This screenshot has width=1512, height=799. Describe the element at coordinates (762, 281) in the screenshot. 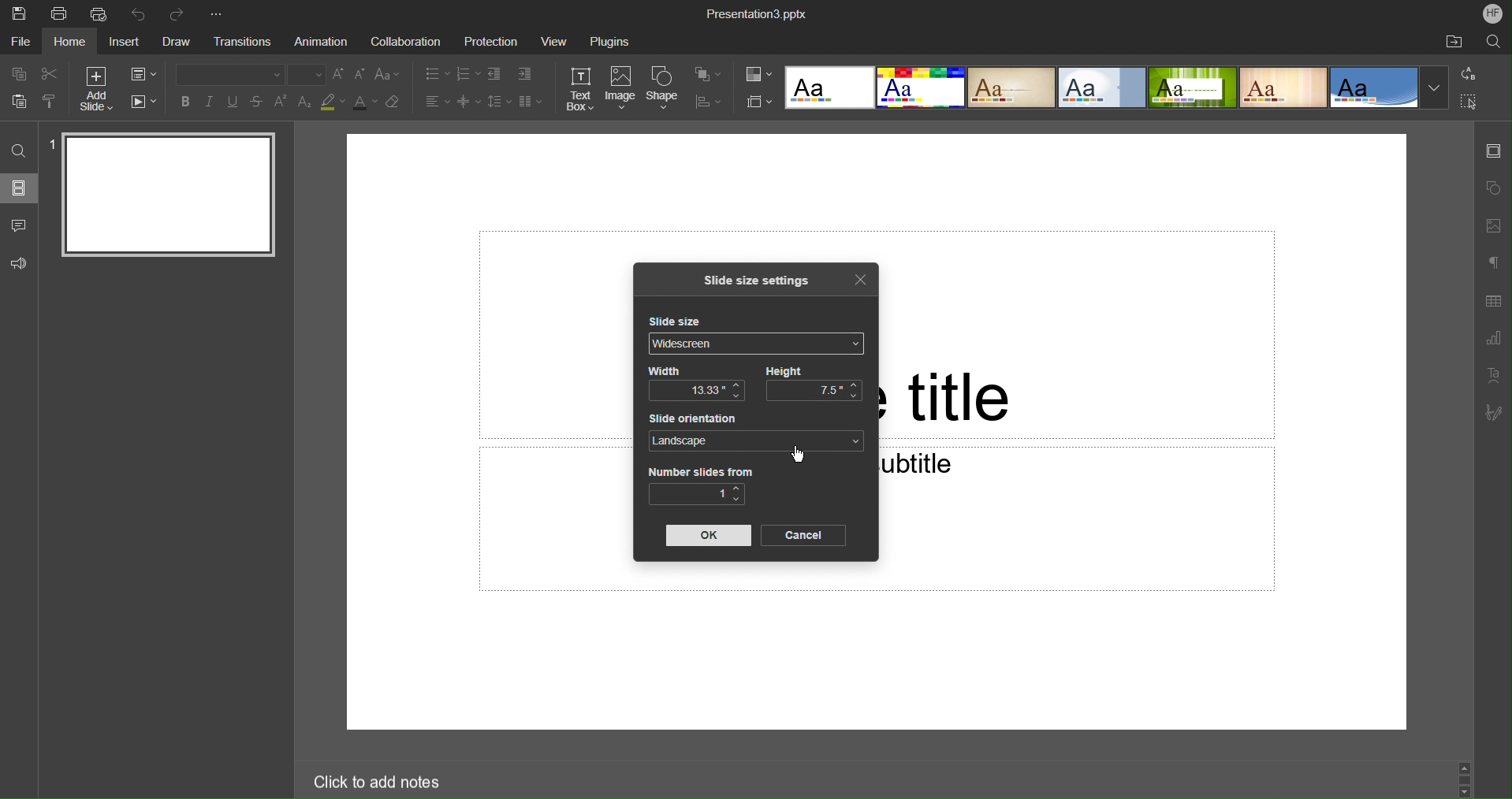

I see `Slide size settings` at that location.